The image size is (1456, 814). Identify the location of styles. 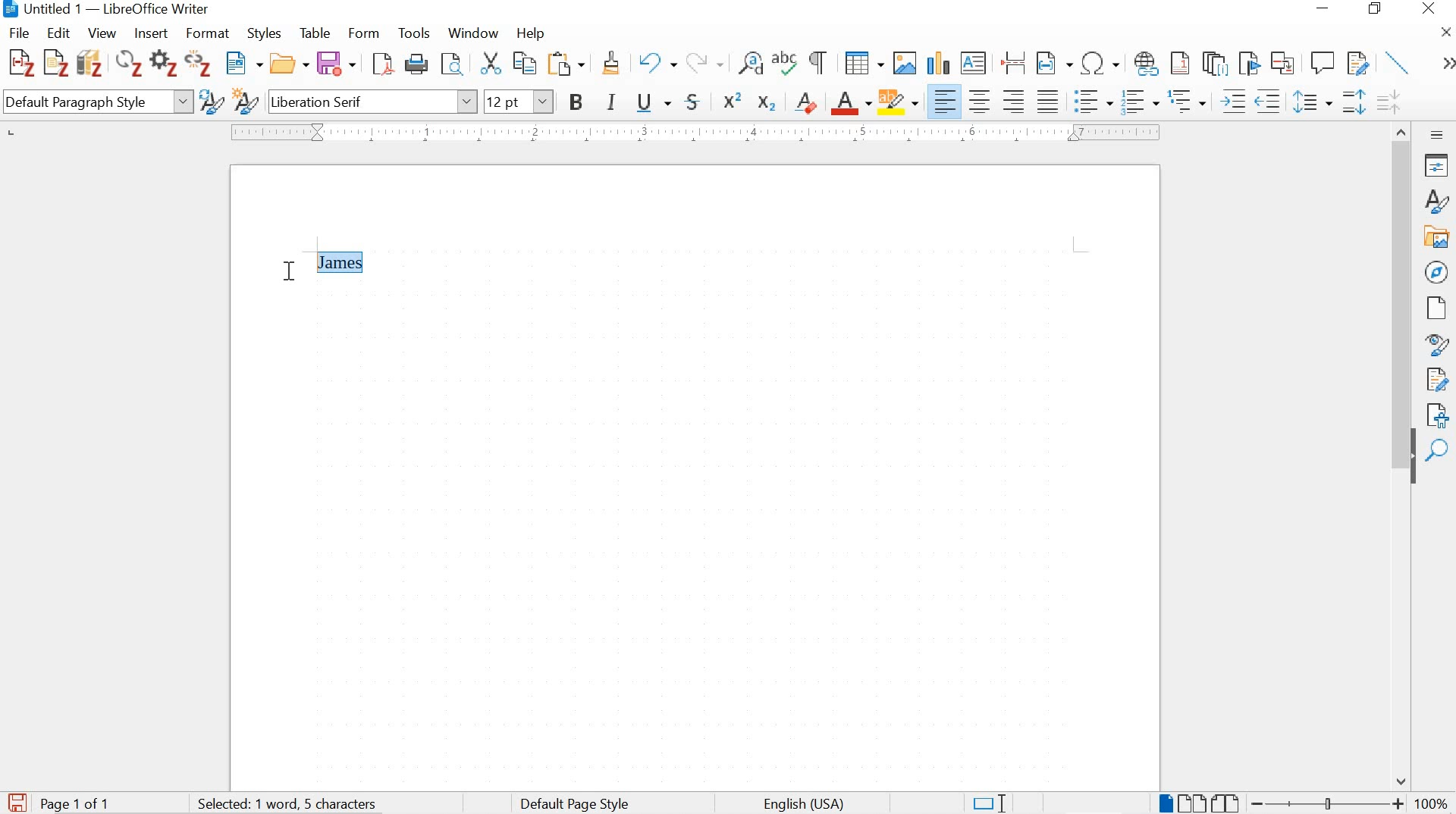
(267, 35).